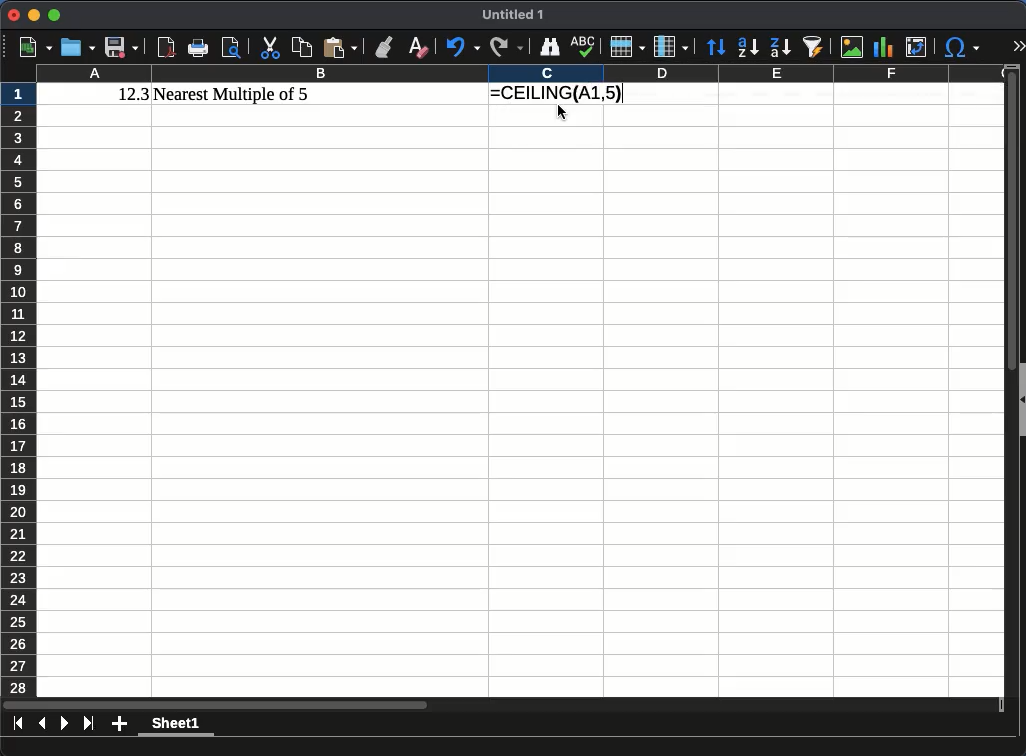 This screenshot has width=1026, height=756. Describe the element at coordinates (1020, 400) in the screenshot. I see `collapse` at that location.